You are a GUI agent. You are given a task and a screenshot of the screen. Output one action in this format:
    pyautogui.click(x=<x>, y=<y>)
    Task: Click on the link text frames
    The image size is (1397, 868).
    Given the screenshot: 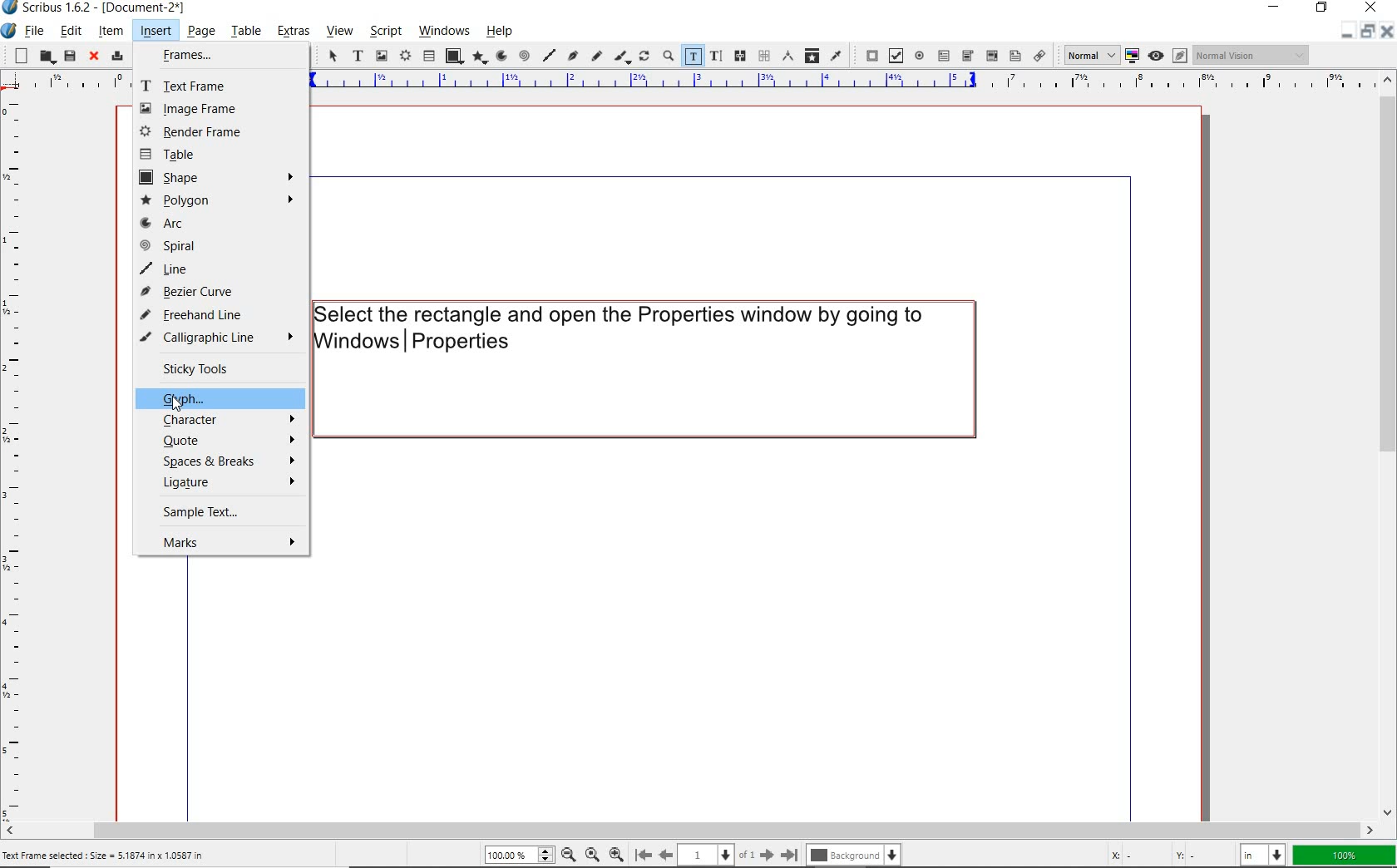 What is the action you would take?
    pyautogui.click(x=742, y=57)
    